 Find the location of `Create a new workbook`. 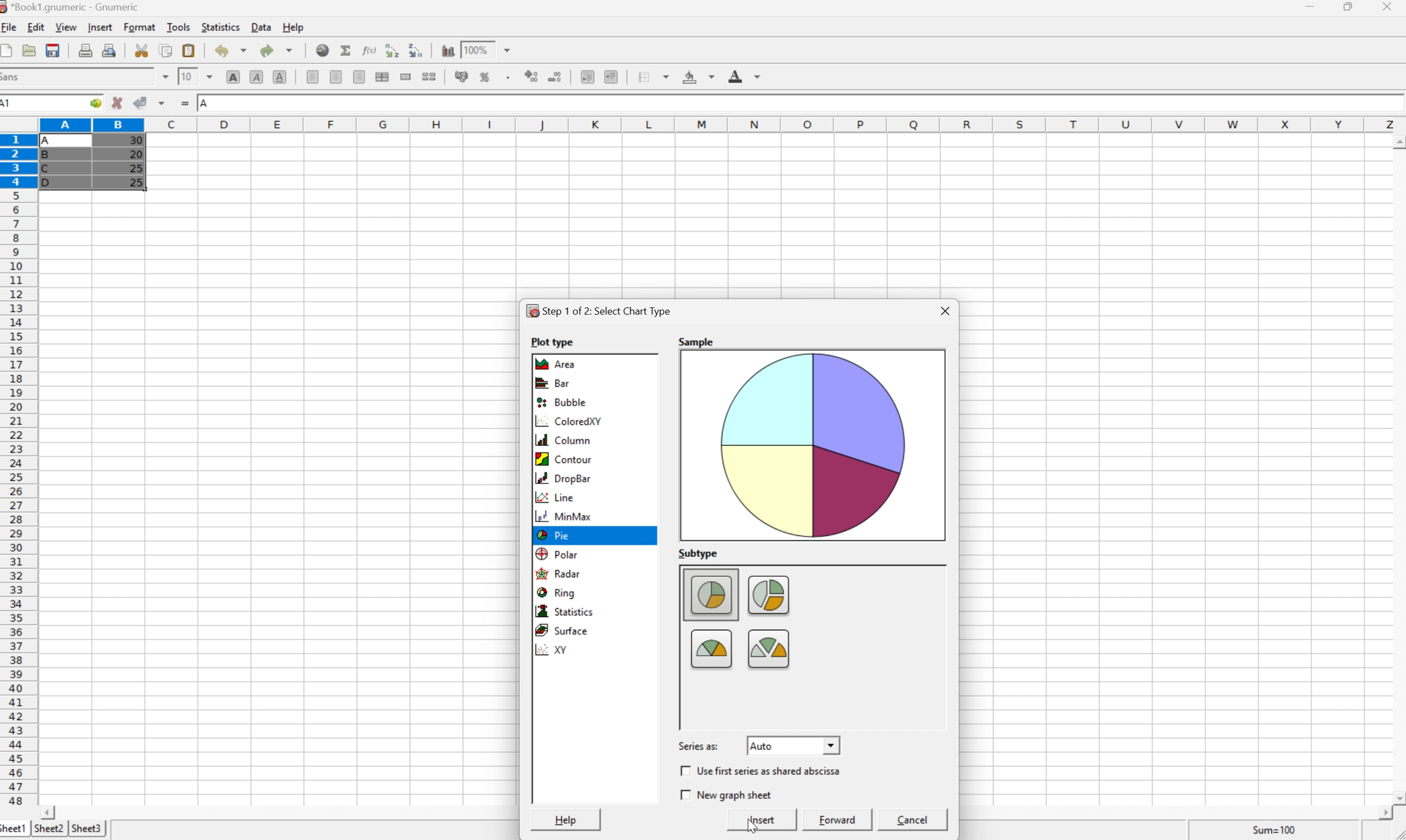

Create a new workbook is located at coordinates (9, 50).